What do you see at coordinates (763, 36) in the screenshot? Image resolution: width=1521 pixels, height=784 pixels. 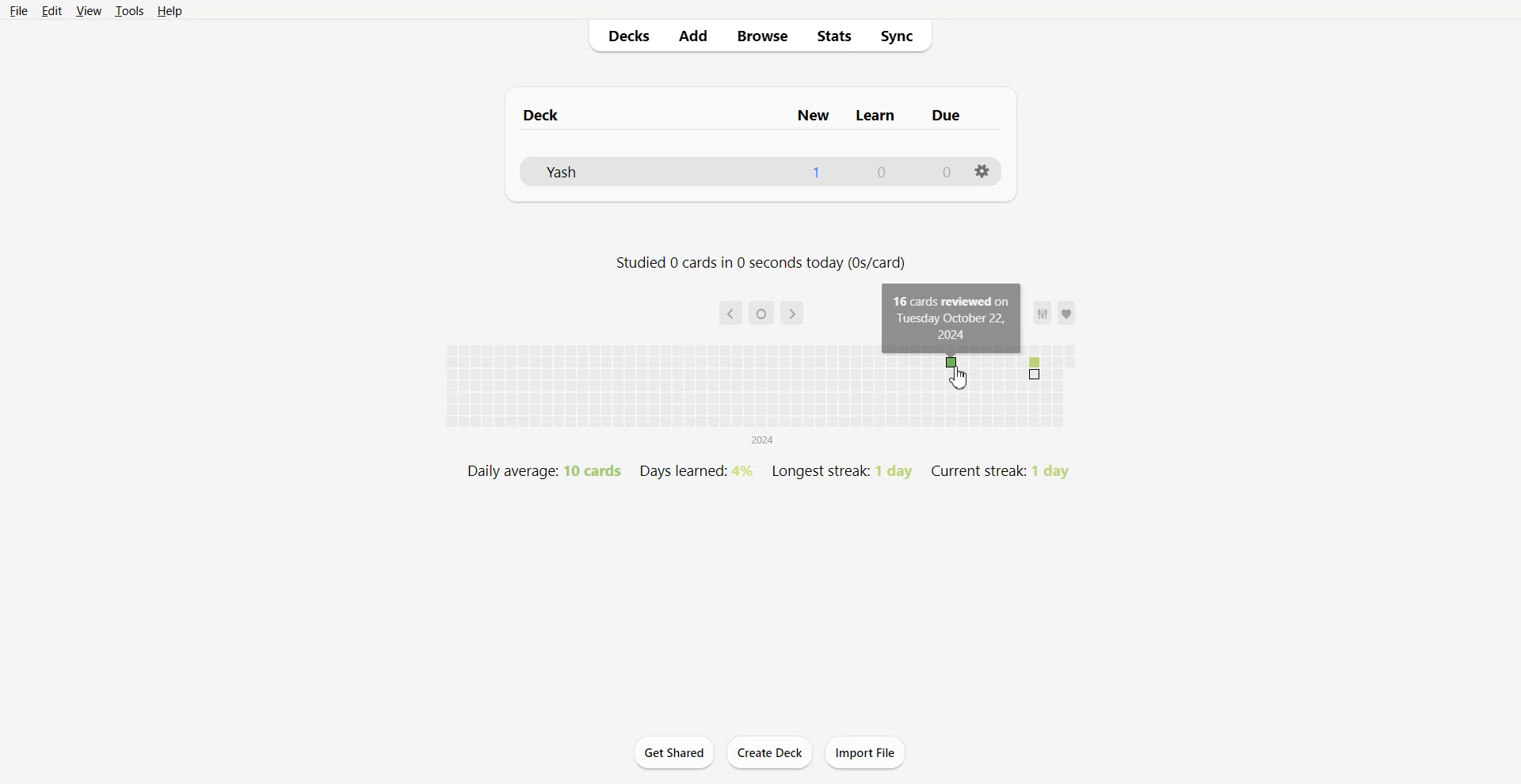 I see `Browse` at bounding box center [763, 36].